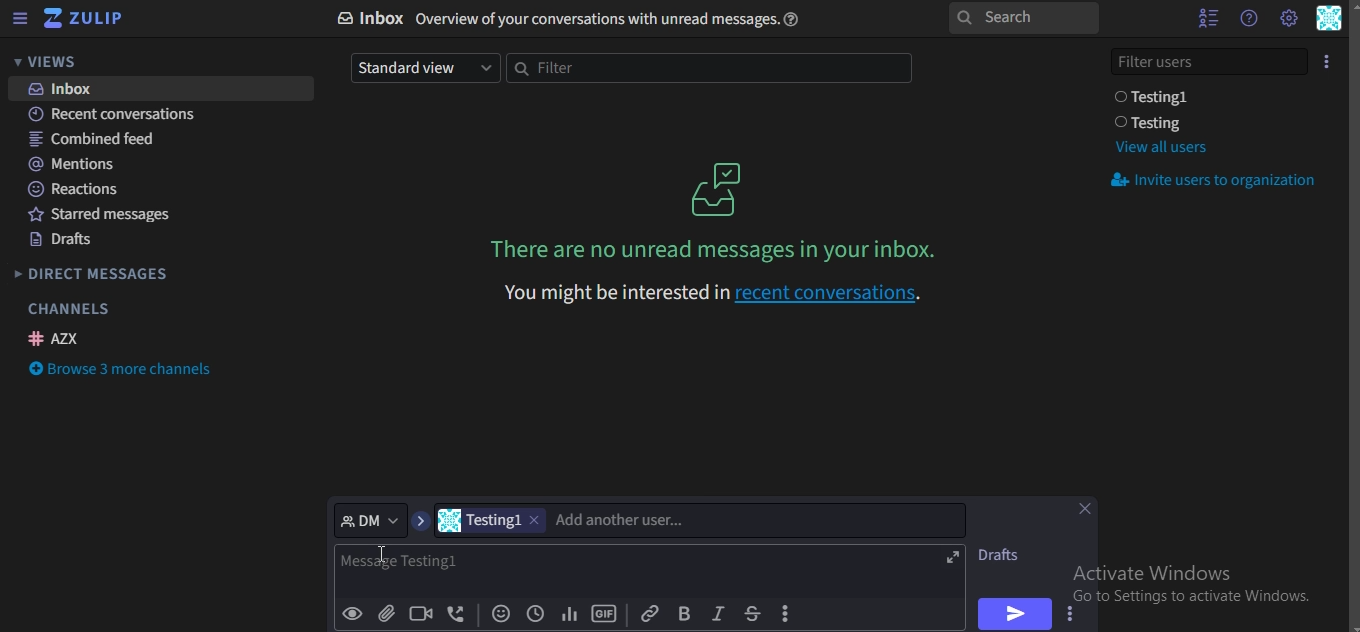 This screenshot has width=1360, height=632. I want to click on add global time, so click(533, 615).